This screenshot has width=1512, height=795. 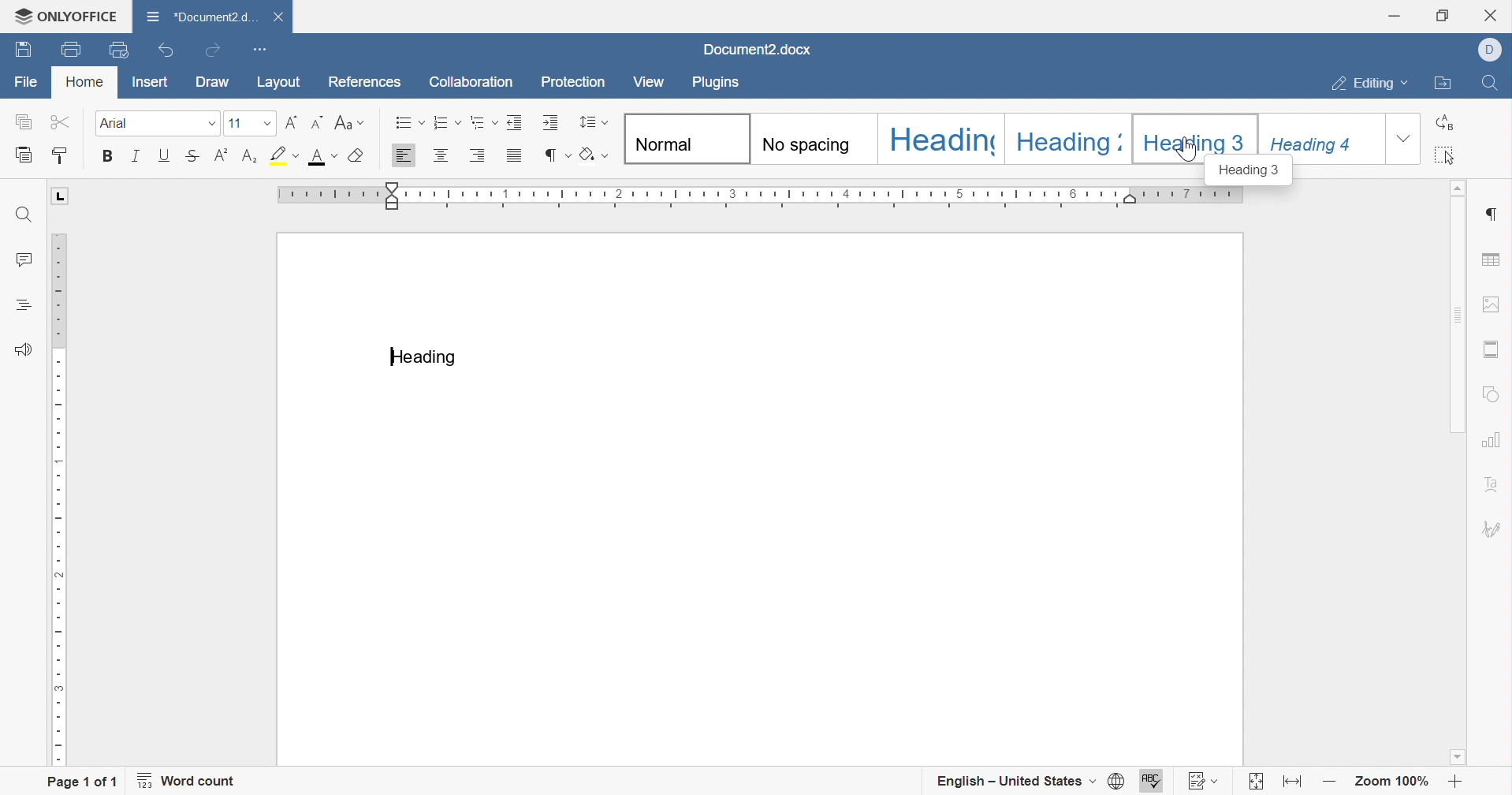 What do you see at coordinates (1405, 140) in the screenshot?
I see `Drop Down` at bounding box center [1405, 140].